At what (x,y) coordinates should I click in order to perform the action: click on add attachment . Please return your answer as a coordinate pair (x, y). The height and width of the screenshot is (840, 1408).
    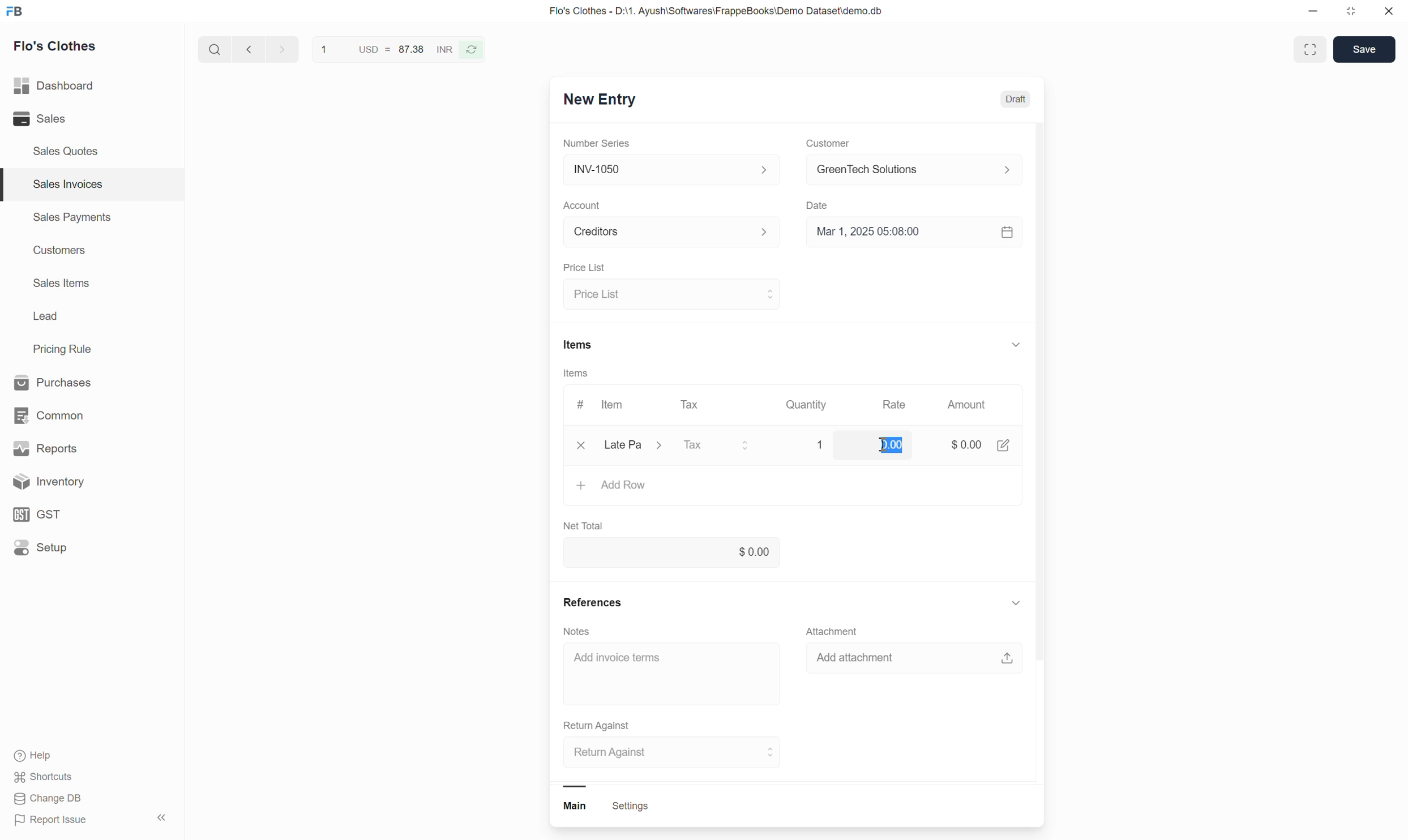
    Looking at the image, I should click on (919, 660).